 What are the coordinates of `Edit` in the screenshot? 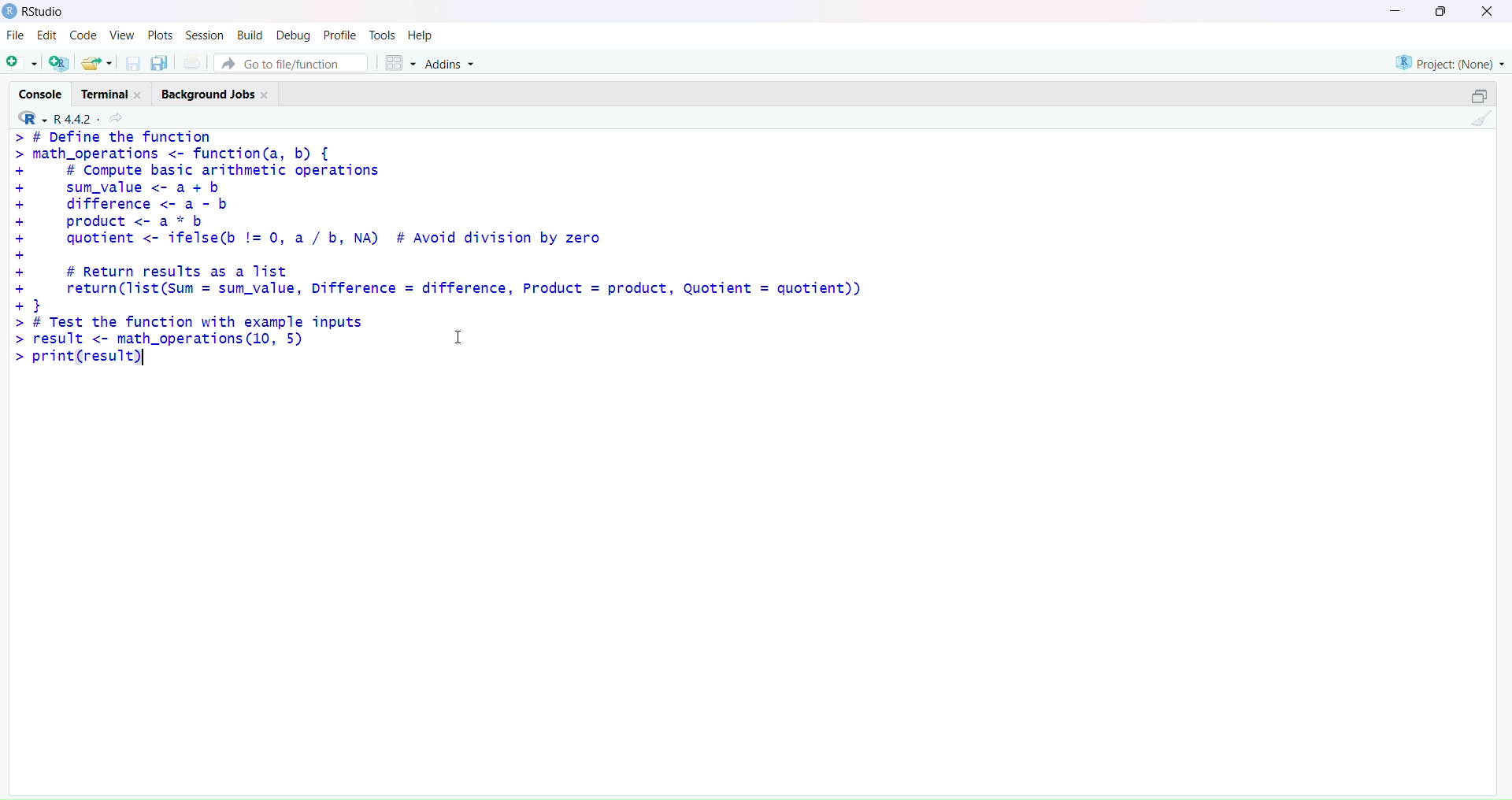 It's located at (43, 37).